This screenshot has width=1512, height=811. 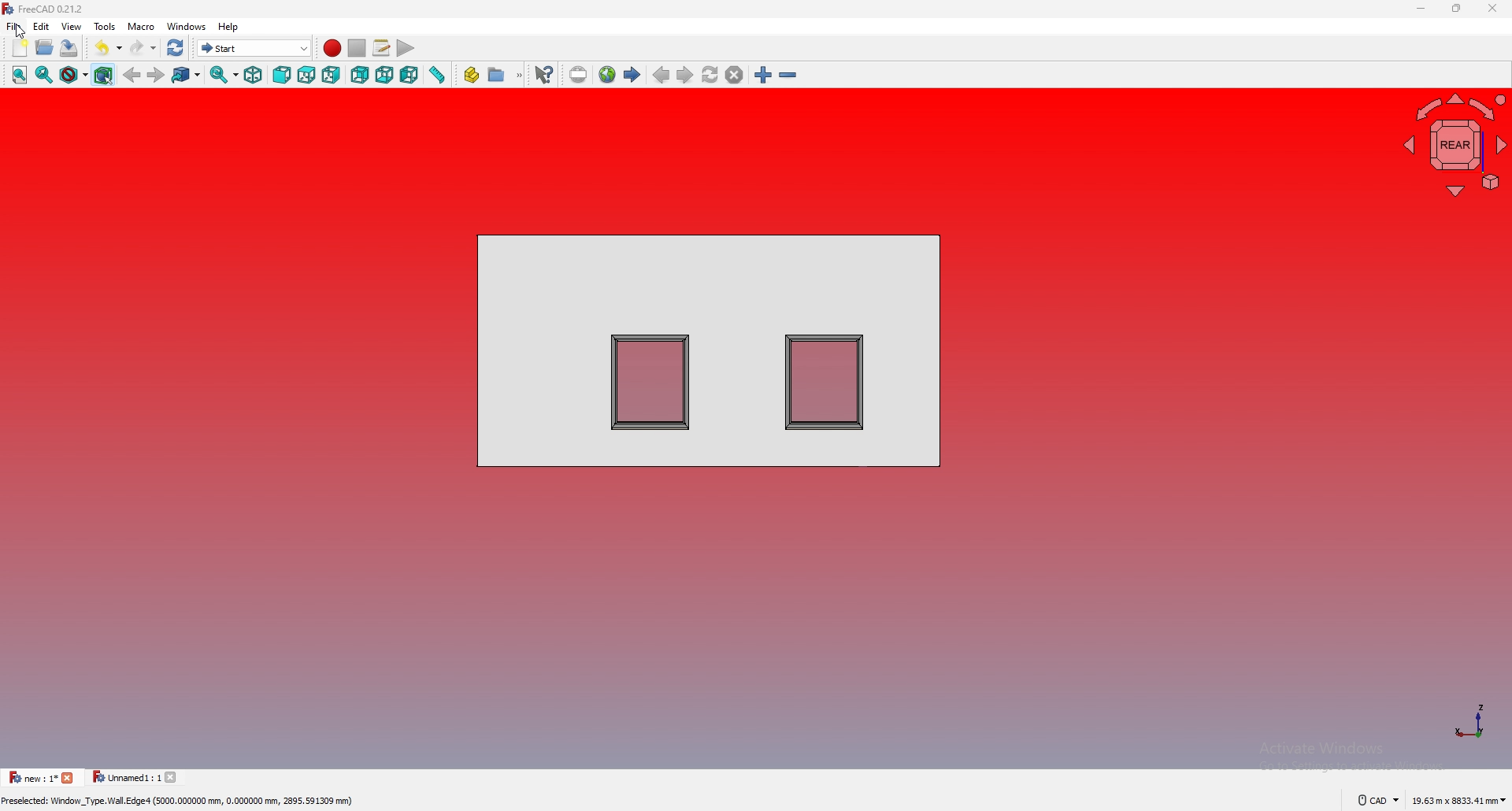 I want to click on tab 2, so click(x=132, y=777).